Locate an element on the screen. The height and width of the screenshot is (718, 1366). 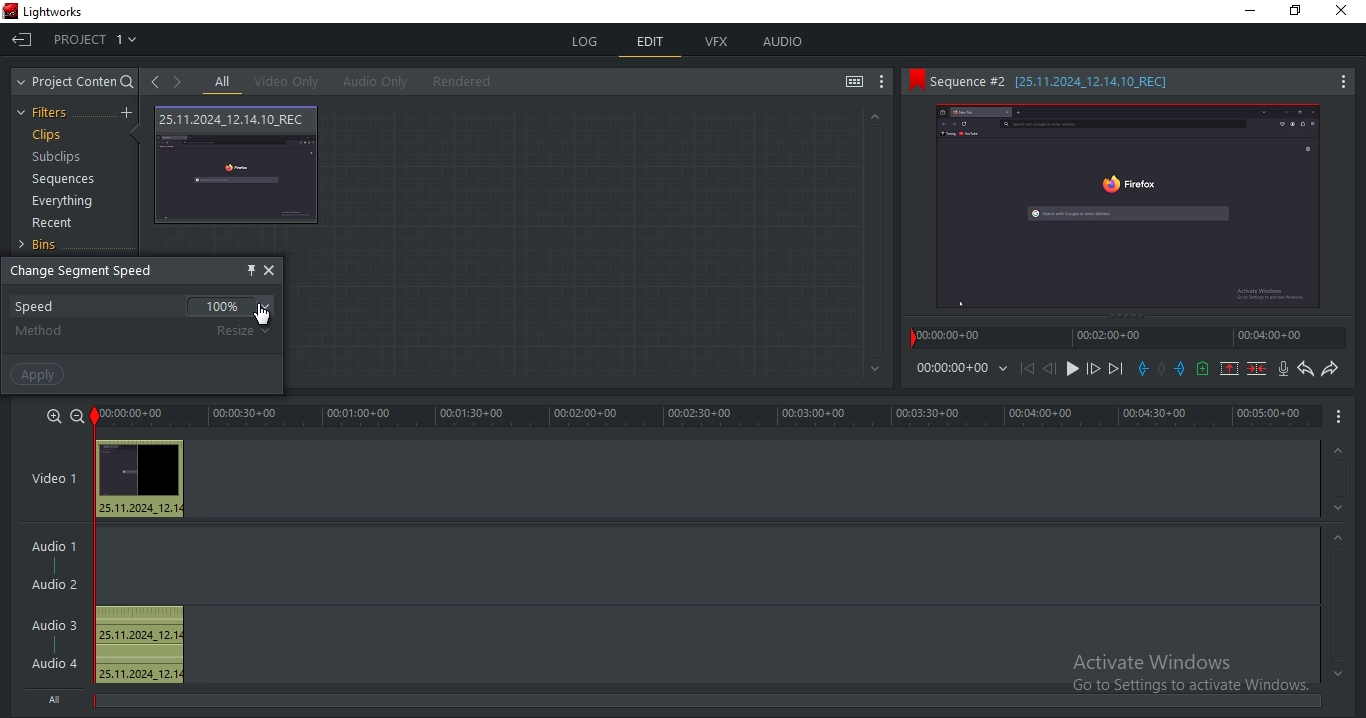
all is located at coordinates (222, 83).